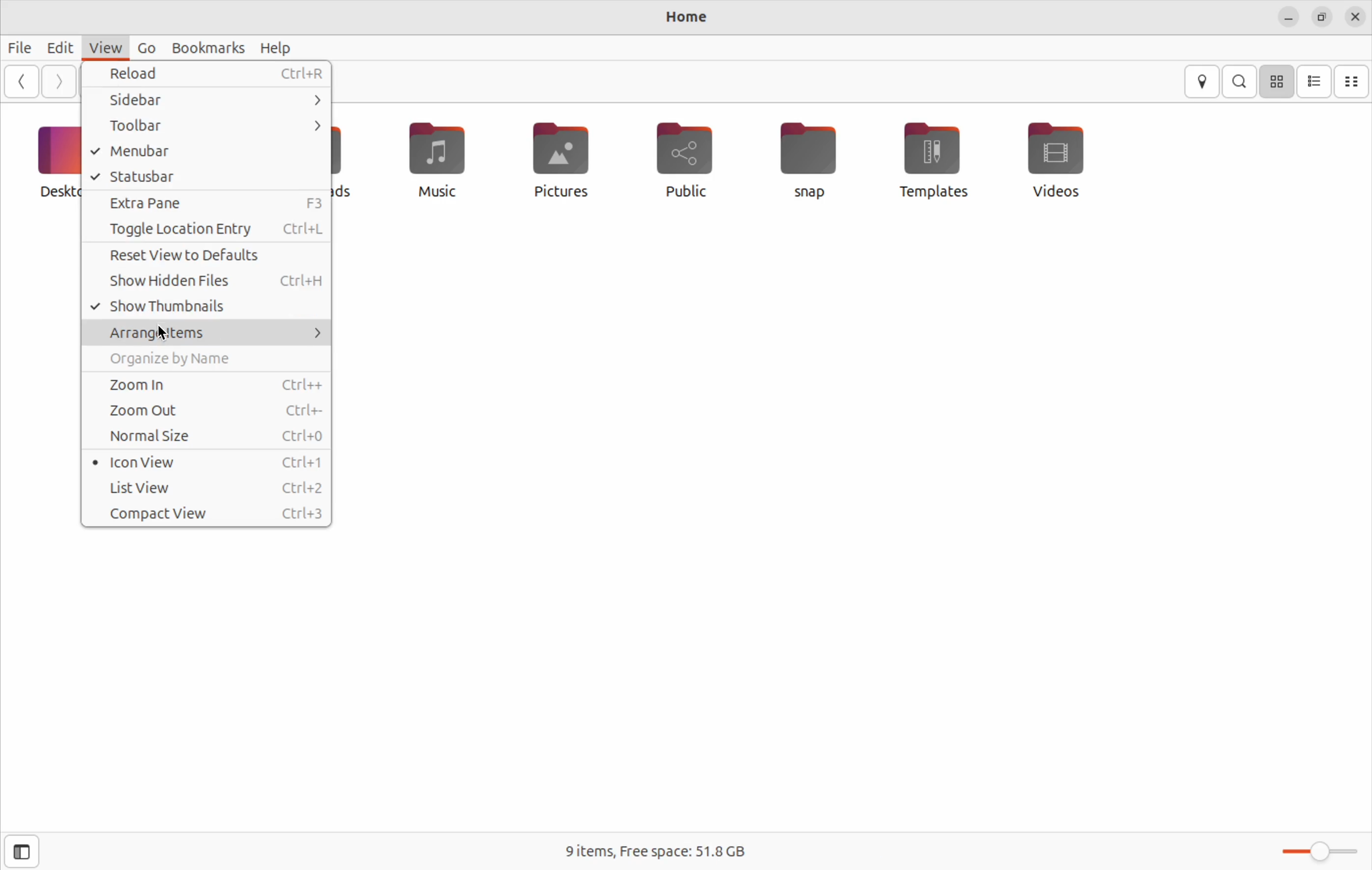 The width and height of the screenshot is (1372, 870). Describe the element at coordinates (1060, 158) in the screenshot. I see `video files` at that location.